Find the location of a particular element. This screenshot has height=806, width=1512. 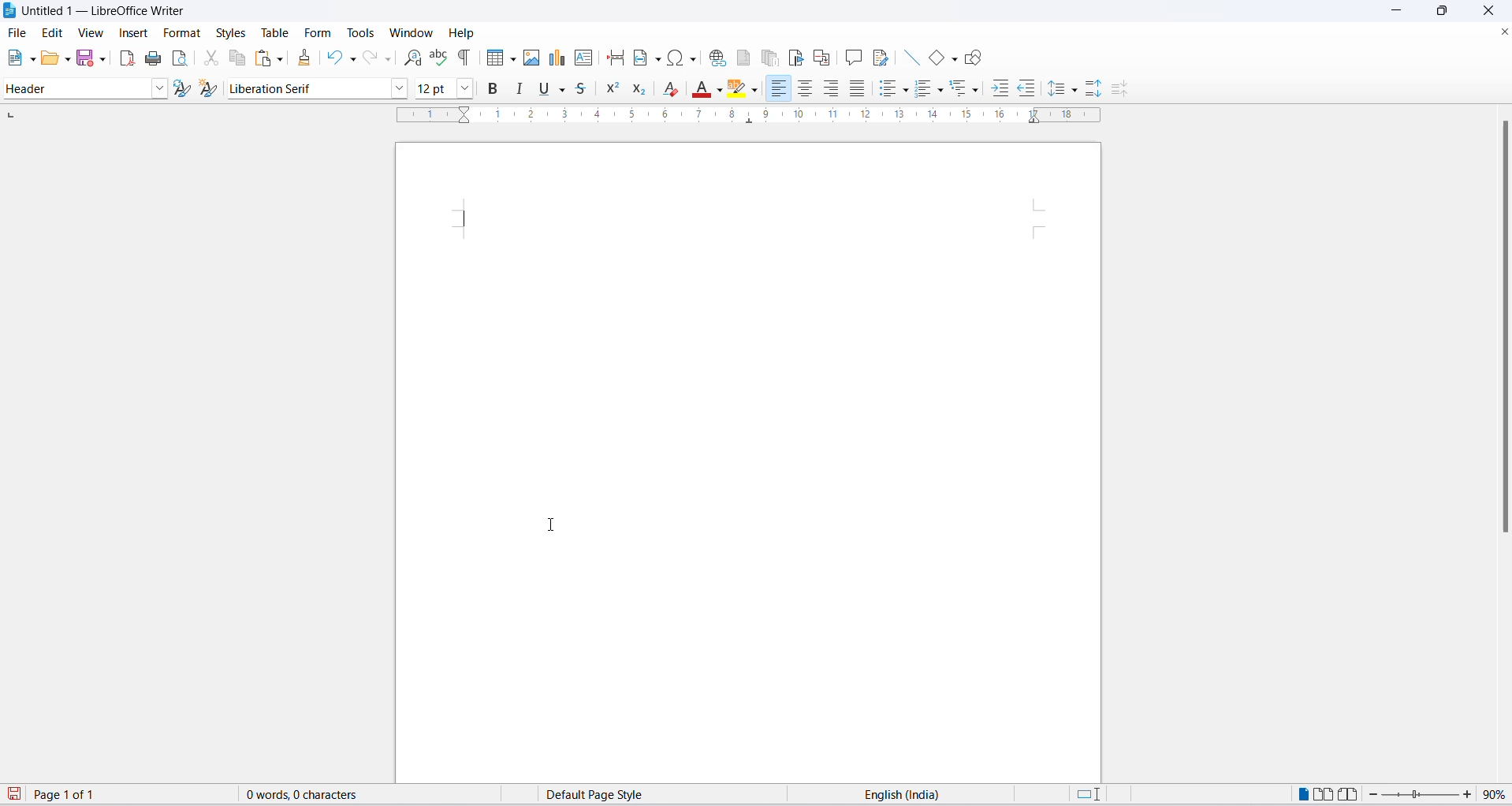

zoom percentage is located at coordinates (1497, 794).